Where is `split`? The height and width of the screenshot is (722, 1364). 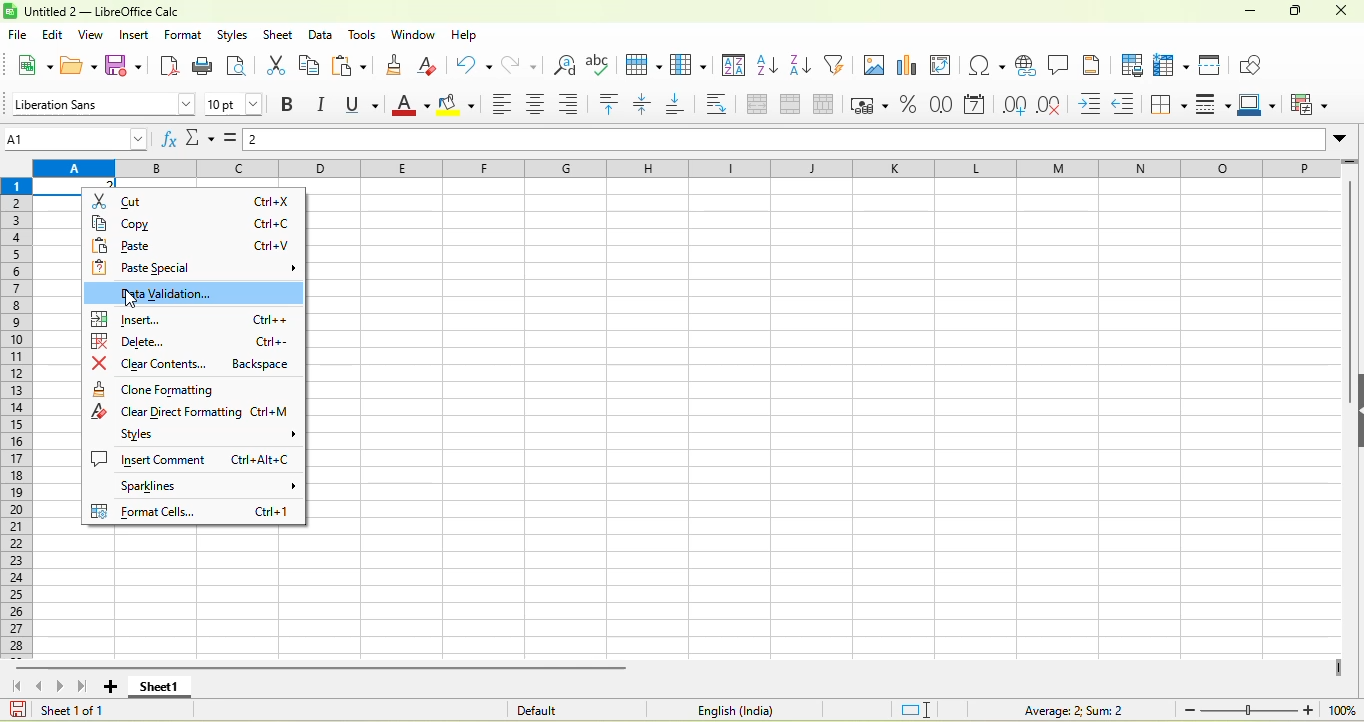 split is located at coordinates (829, 105).